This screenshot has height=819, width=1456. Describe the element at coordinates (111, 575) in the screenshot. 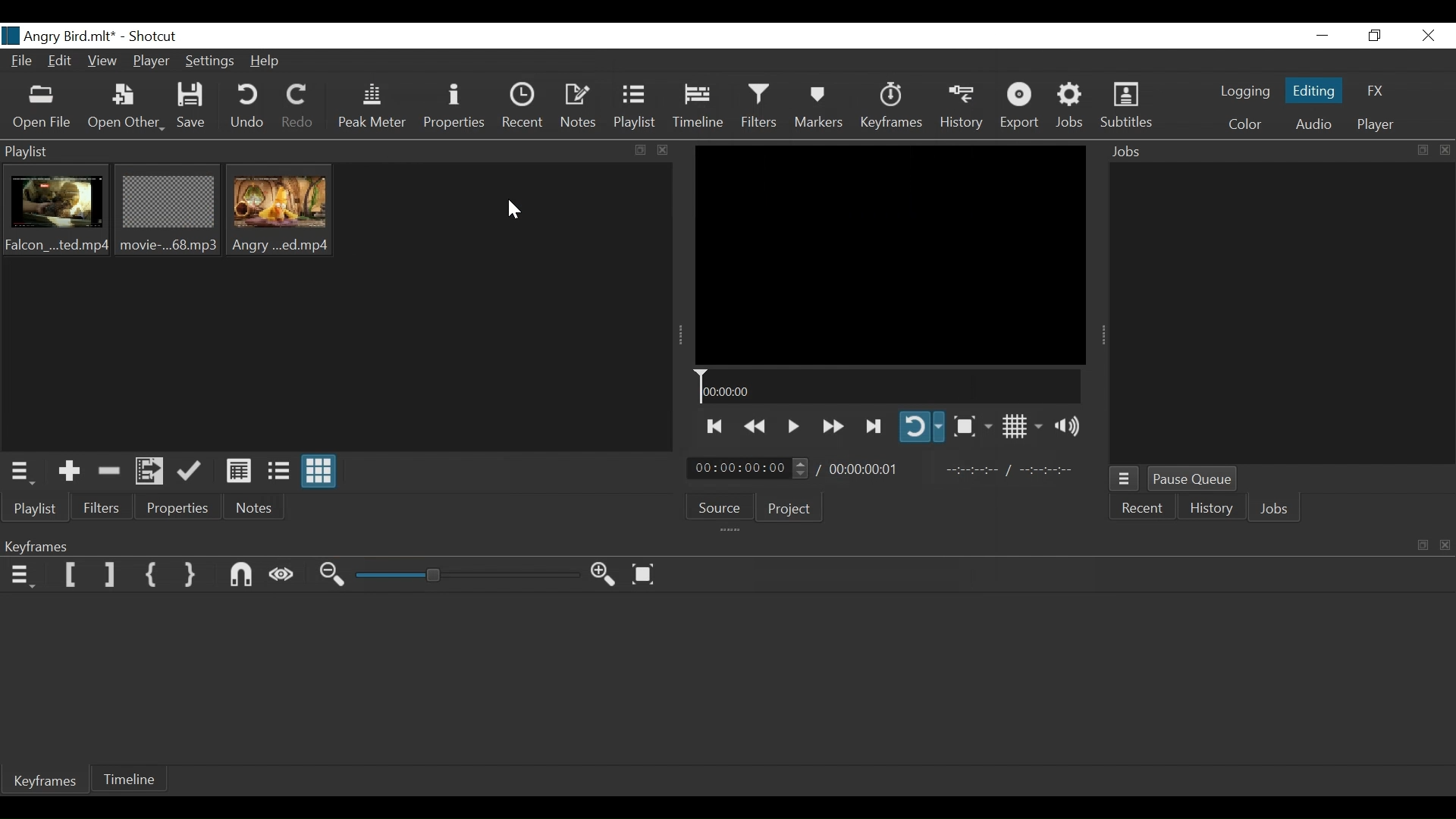

I see `Set Filter Last` at that location.